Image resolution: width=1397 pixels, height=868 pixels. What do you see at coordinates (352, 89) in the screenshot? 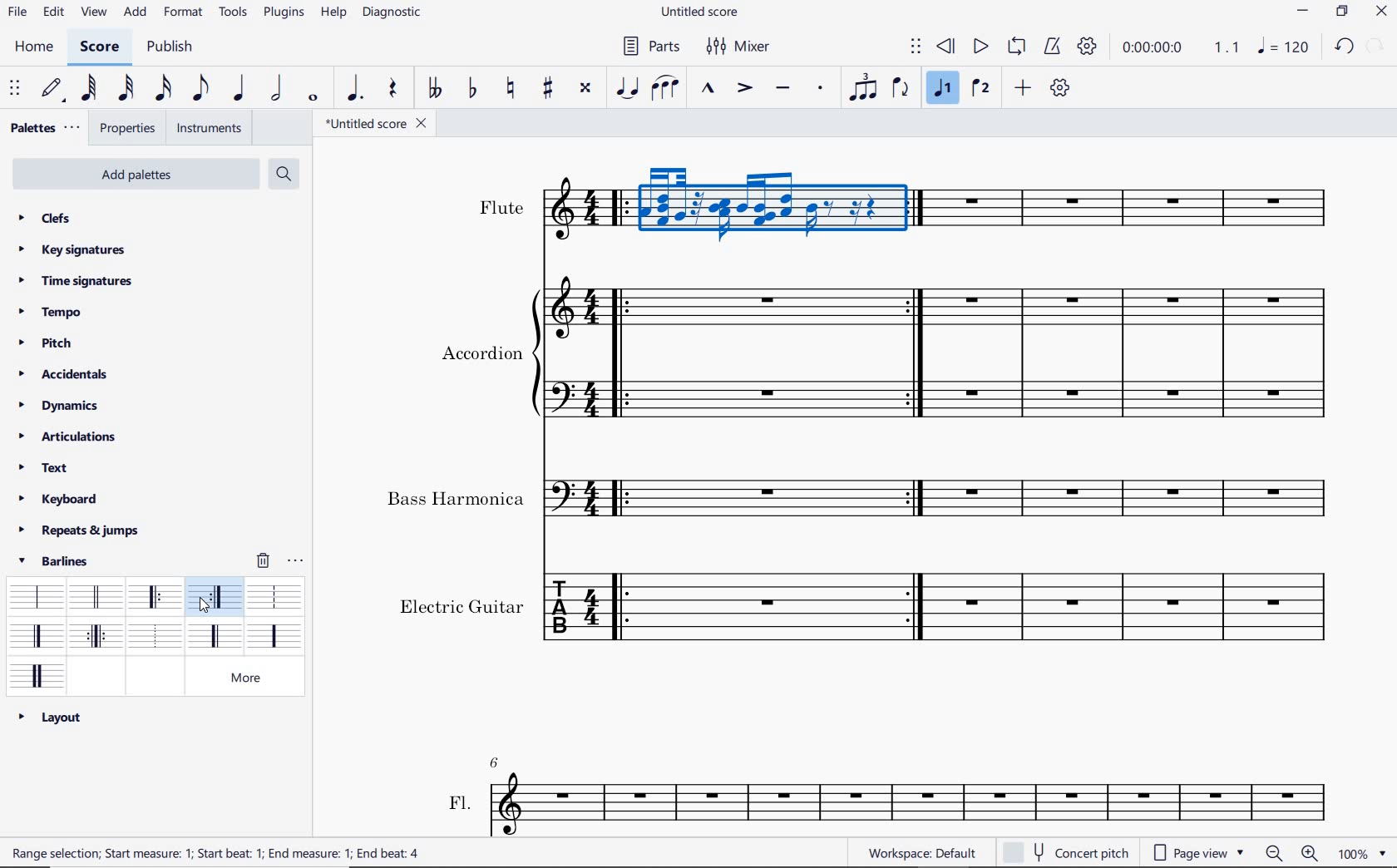
I see `augmentation dot` at bounding box center [352, 89].